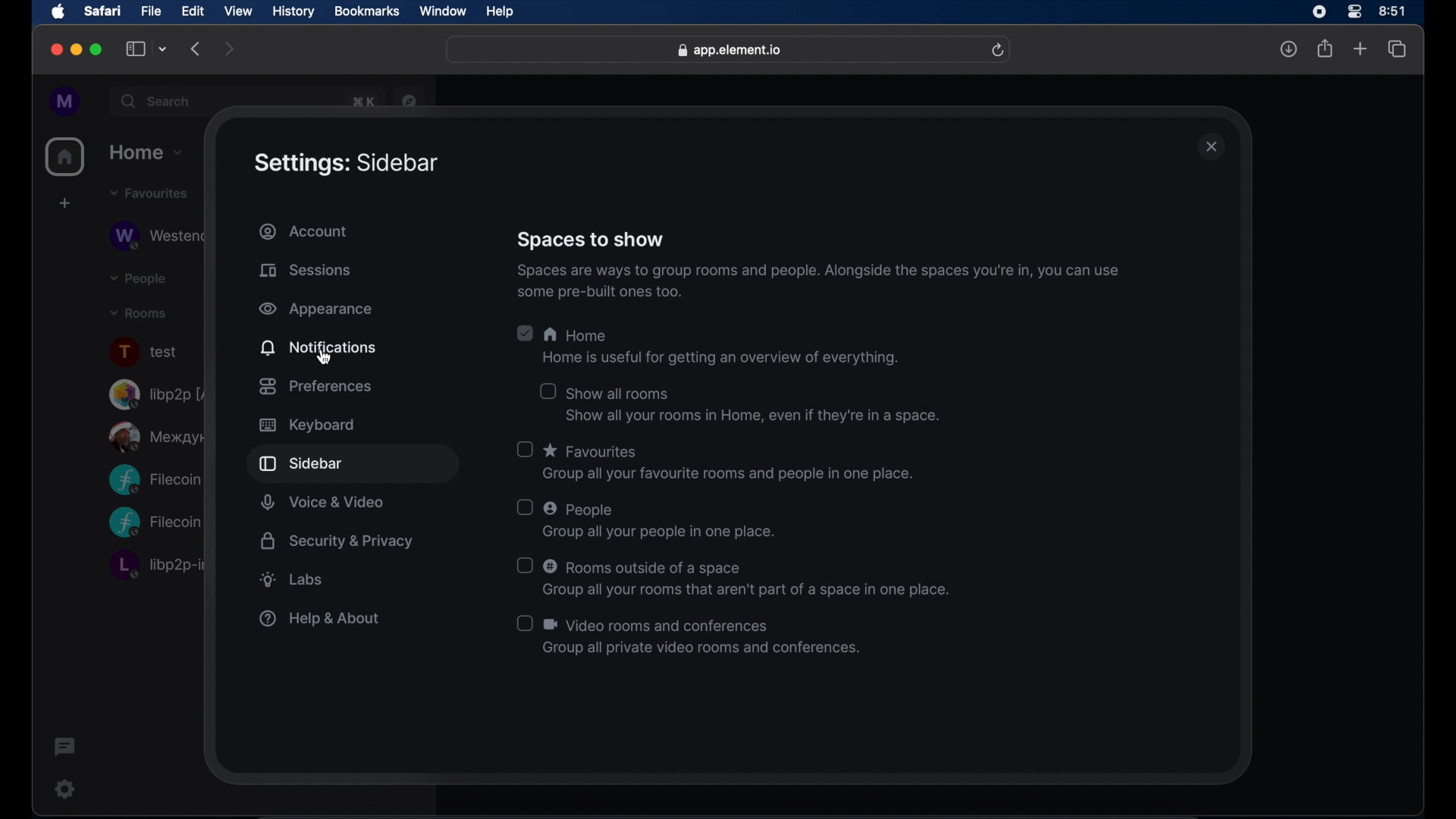 The image size is (1456, 819). Describe the element at coordinates (1398, 50) in the screenshot. I see `show tab overview` at that location.